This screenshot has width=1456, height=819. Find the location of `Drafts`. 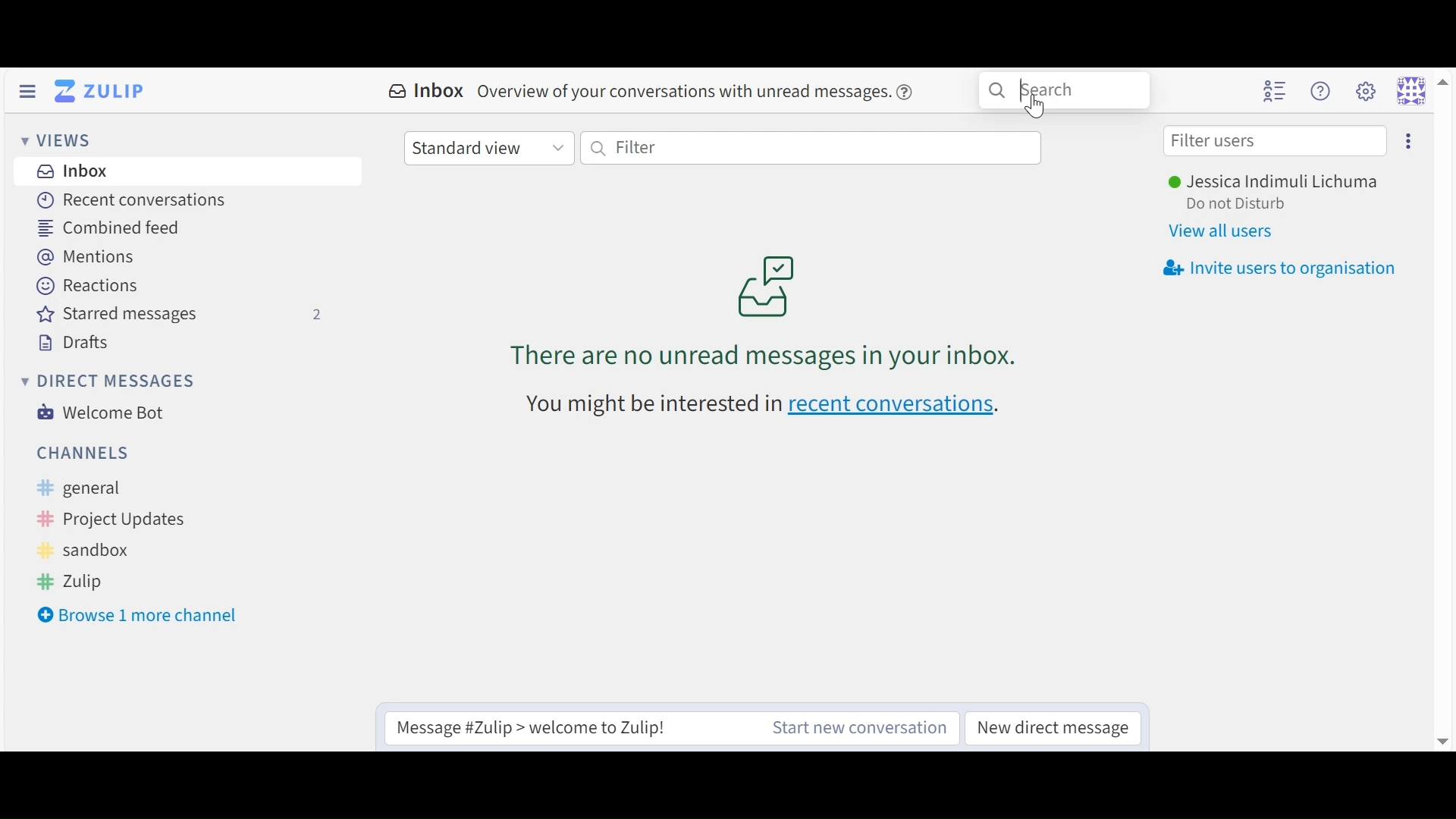

Drafts is located at coordinates (74, 342).